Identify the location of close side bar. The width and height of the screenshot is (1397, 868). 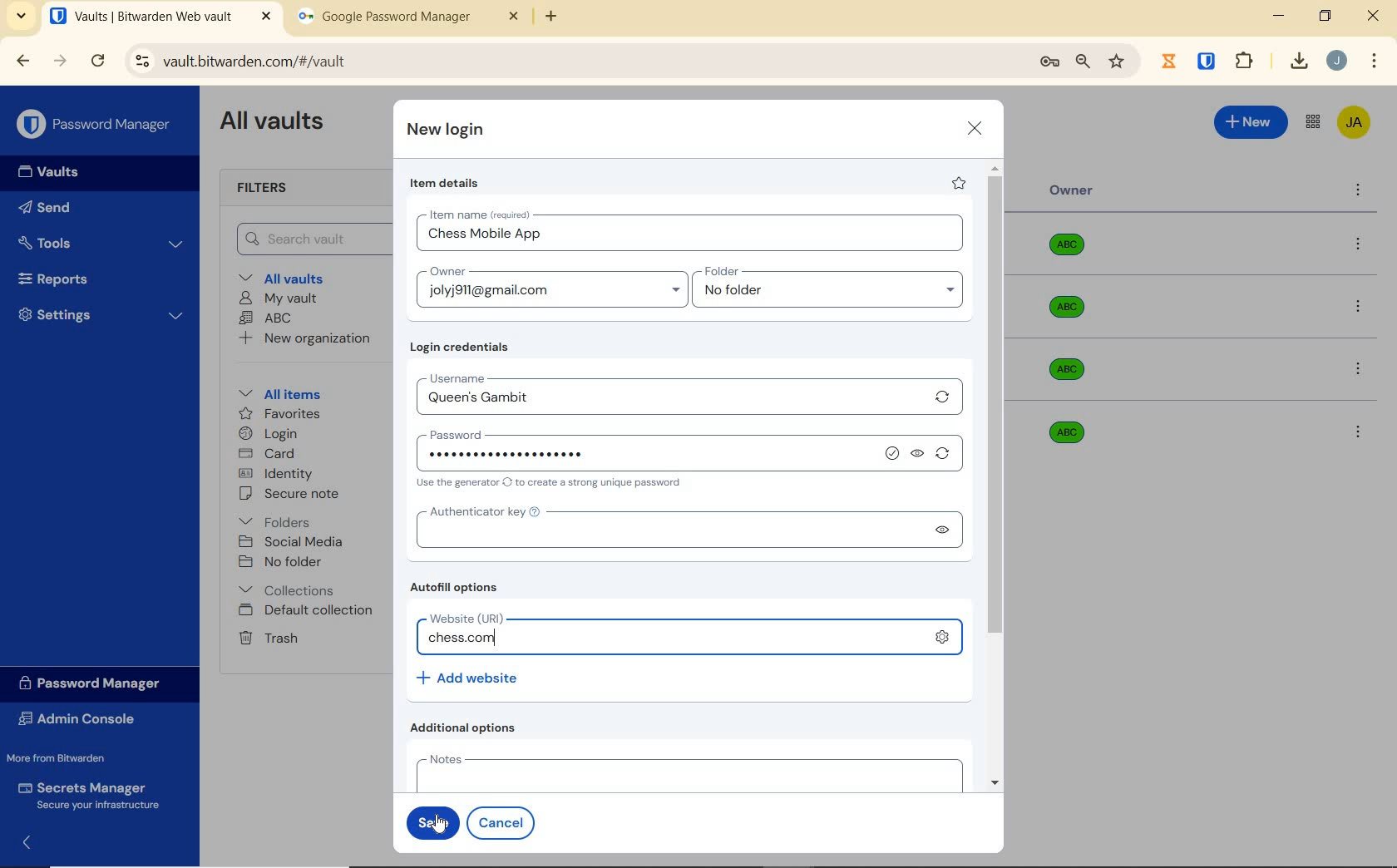
(36, 841).